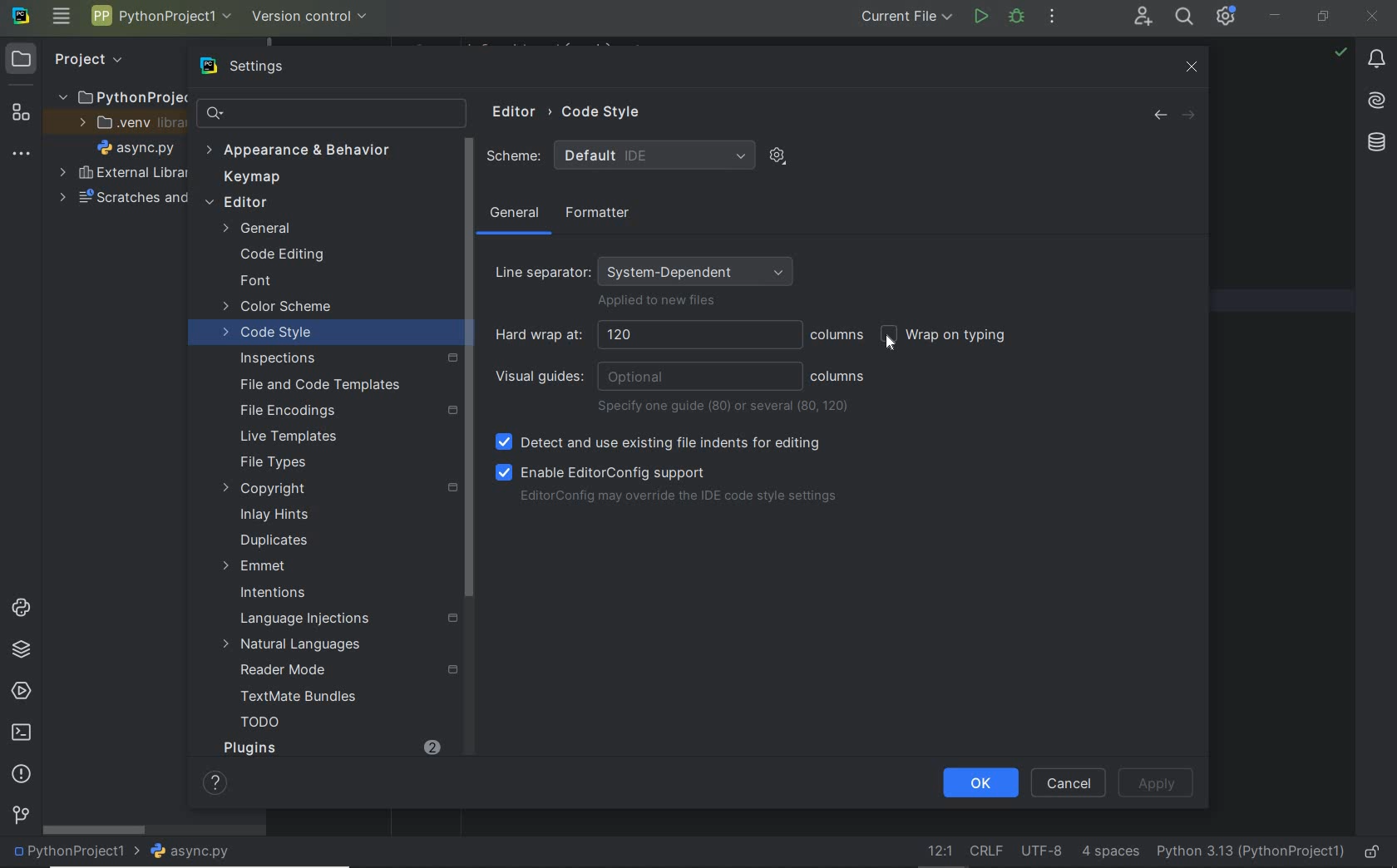  Describe the element at coordinates (126, 126) in the screenshot. I see `.venv` at that location.